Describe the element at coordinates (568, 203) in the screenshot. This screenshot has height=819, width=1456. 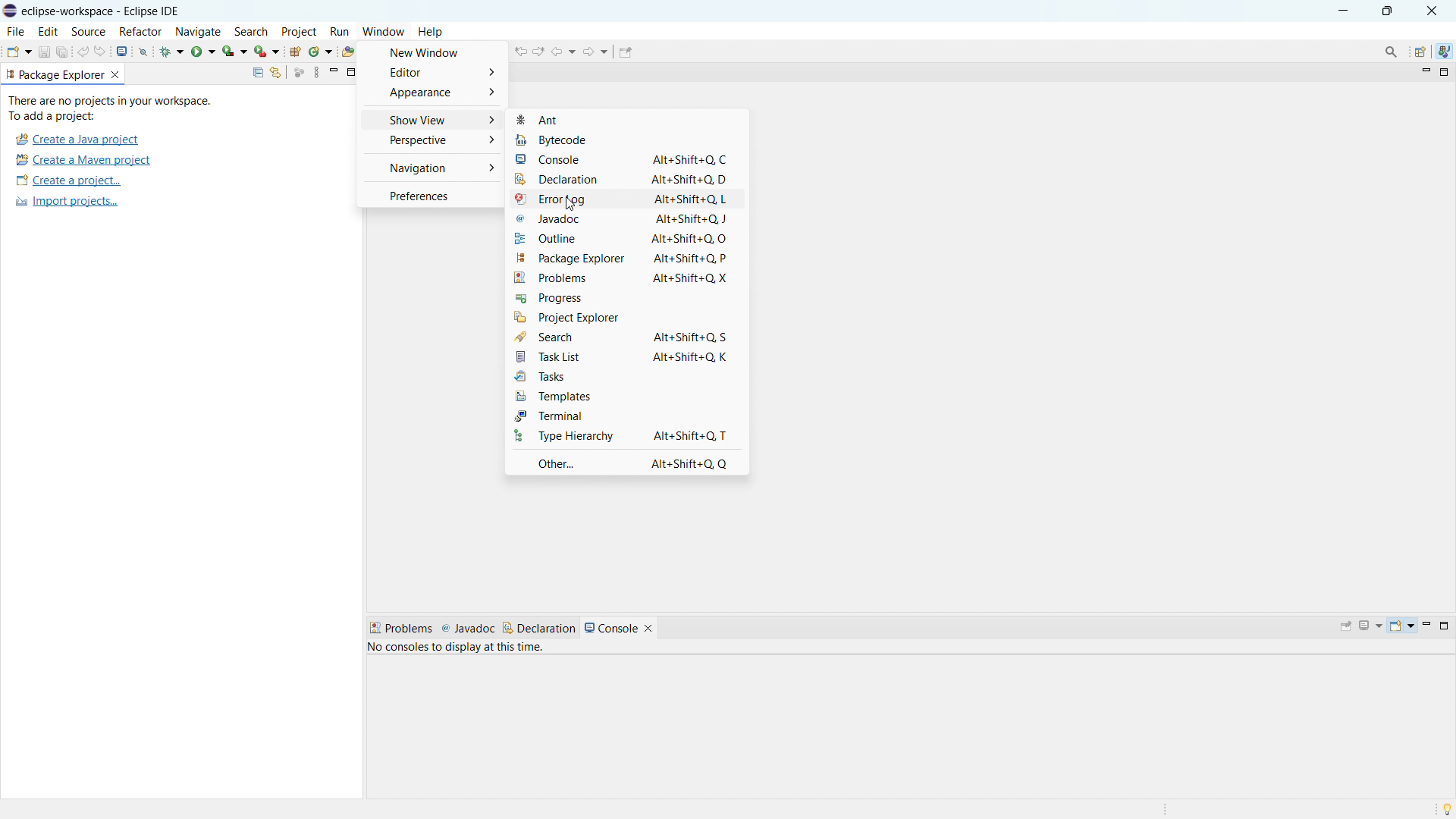
I see `cursor` at that location.